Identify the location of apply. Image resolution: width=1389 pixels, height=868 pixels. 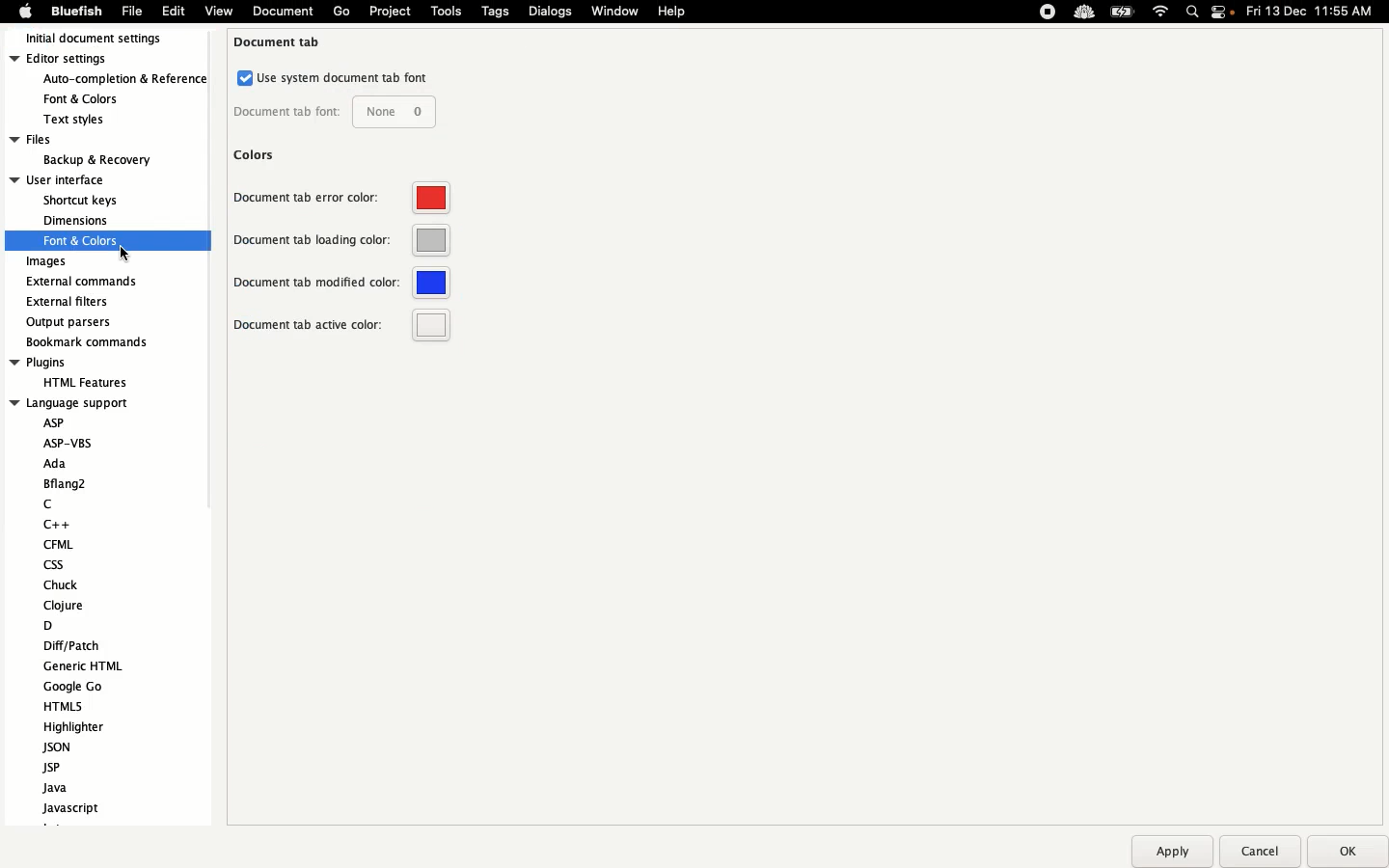
(1177, 850).